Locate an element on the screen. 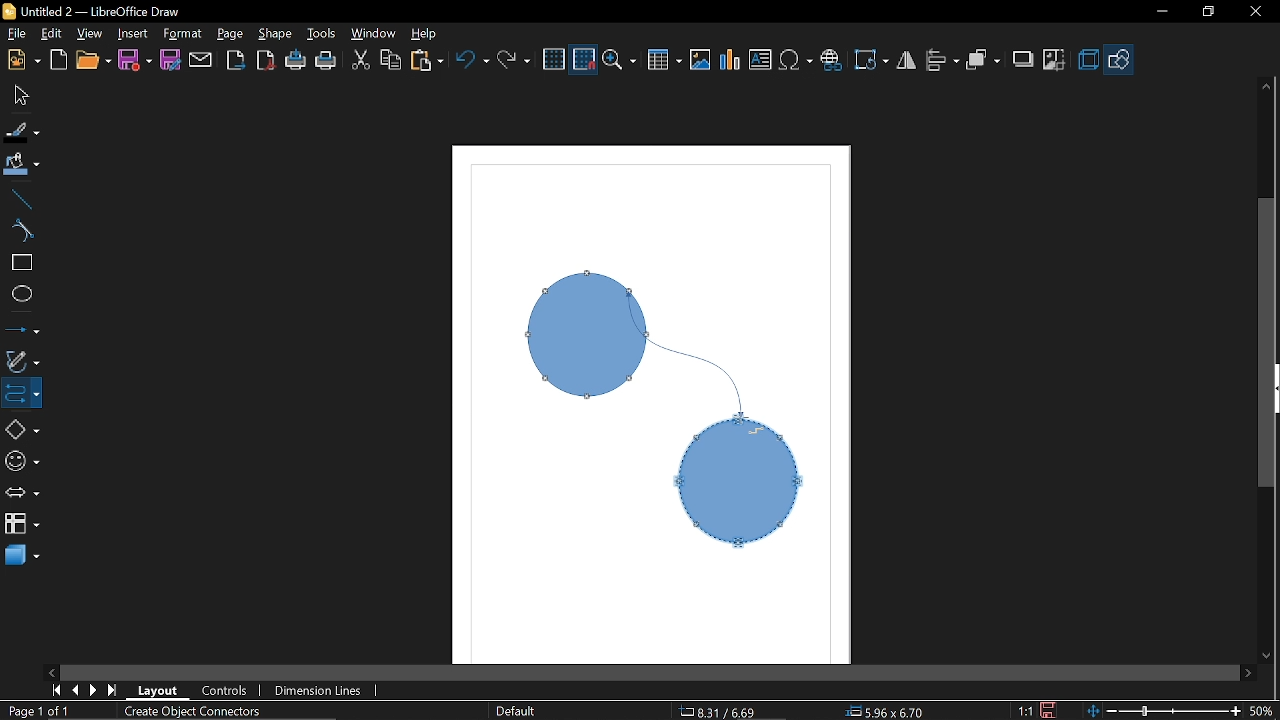 The height and width of the screenshot is (720, 1280). Window is located at coordinates (374, 34).